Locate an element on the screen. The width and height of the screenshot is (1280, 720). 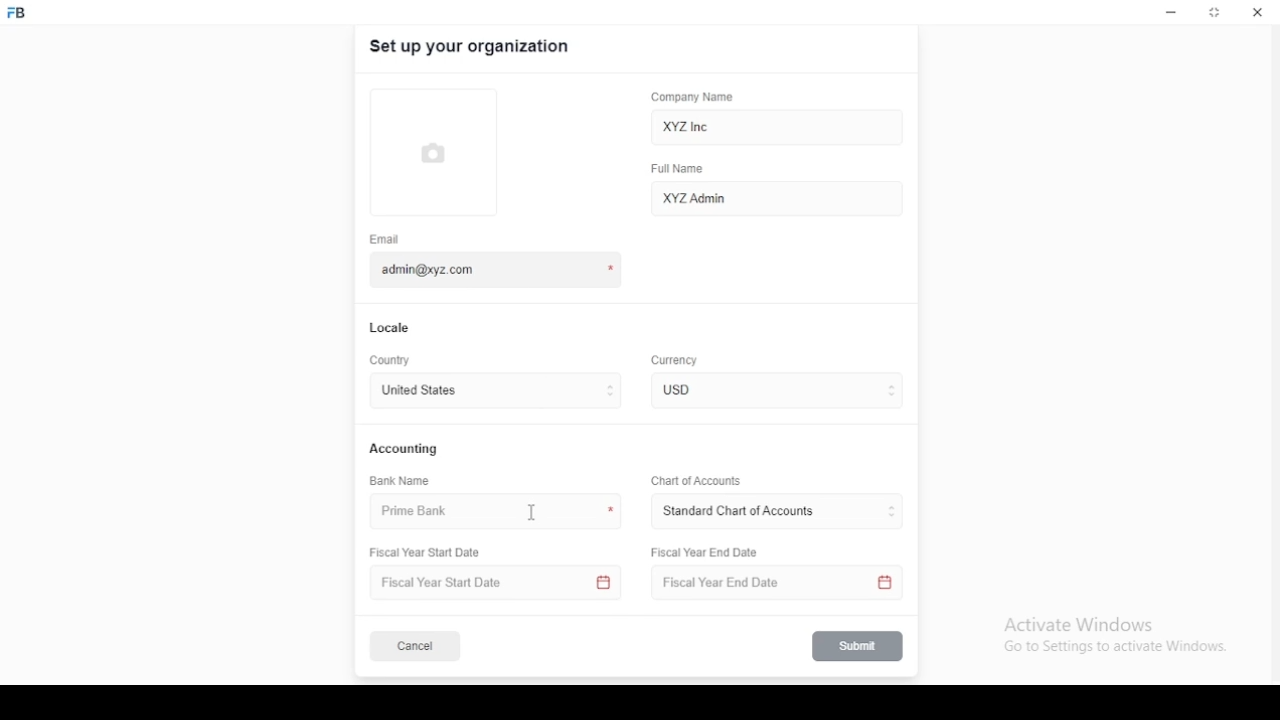
close window is located at coordinates (1255, 12).